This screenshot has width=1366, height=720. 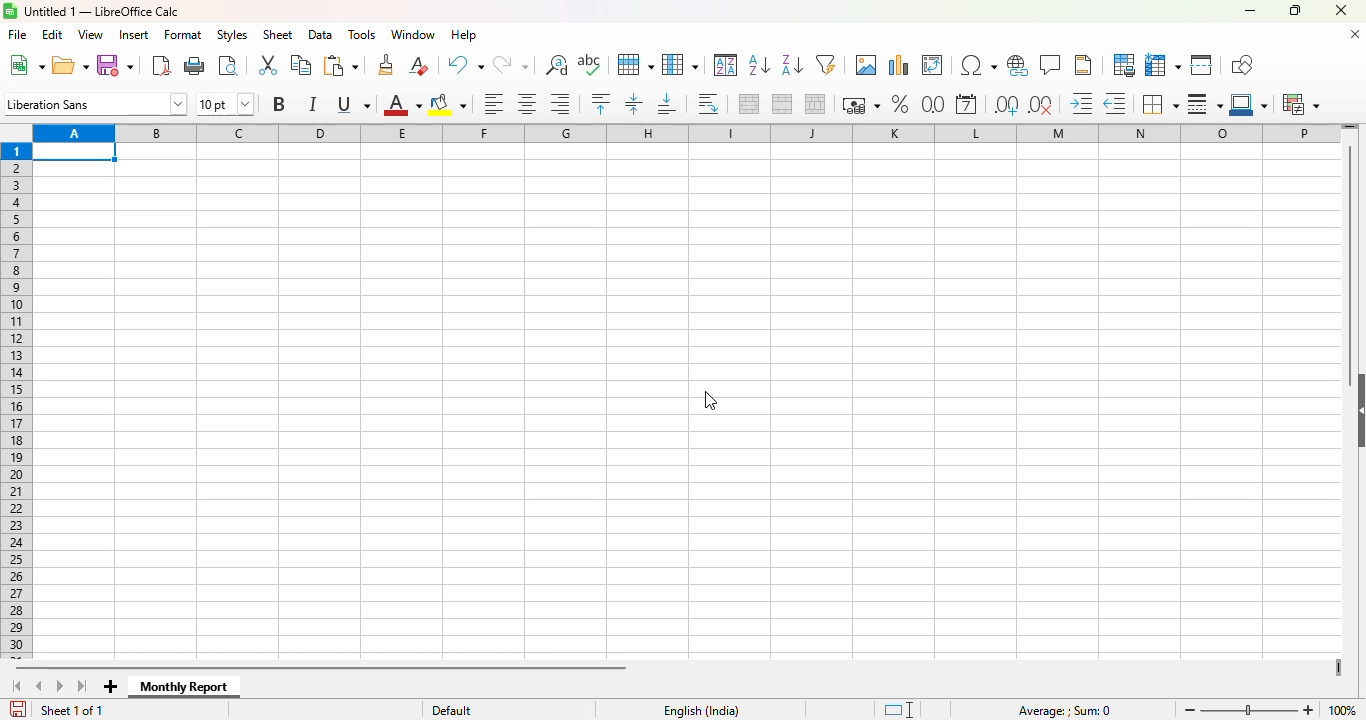 I want to click on scroll to next sheet, so click(x=61, y=687).